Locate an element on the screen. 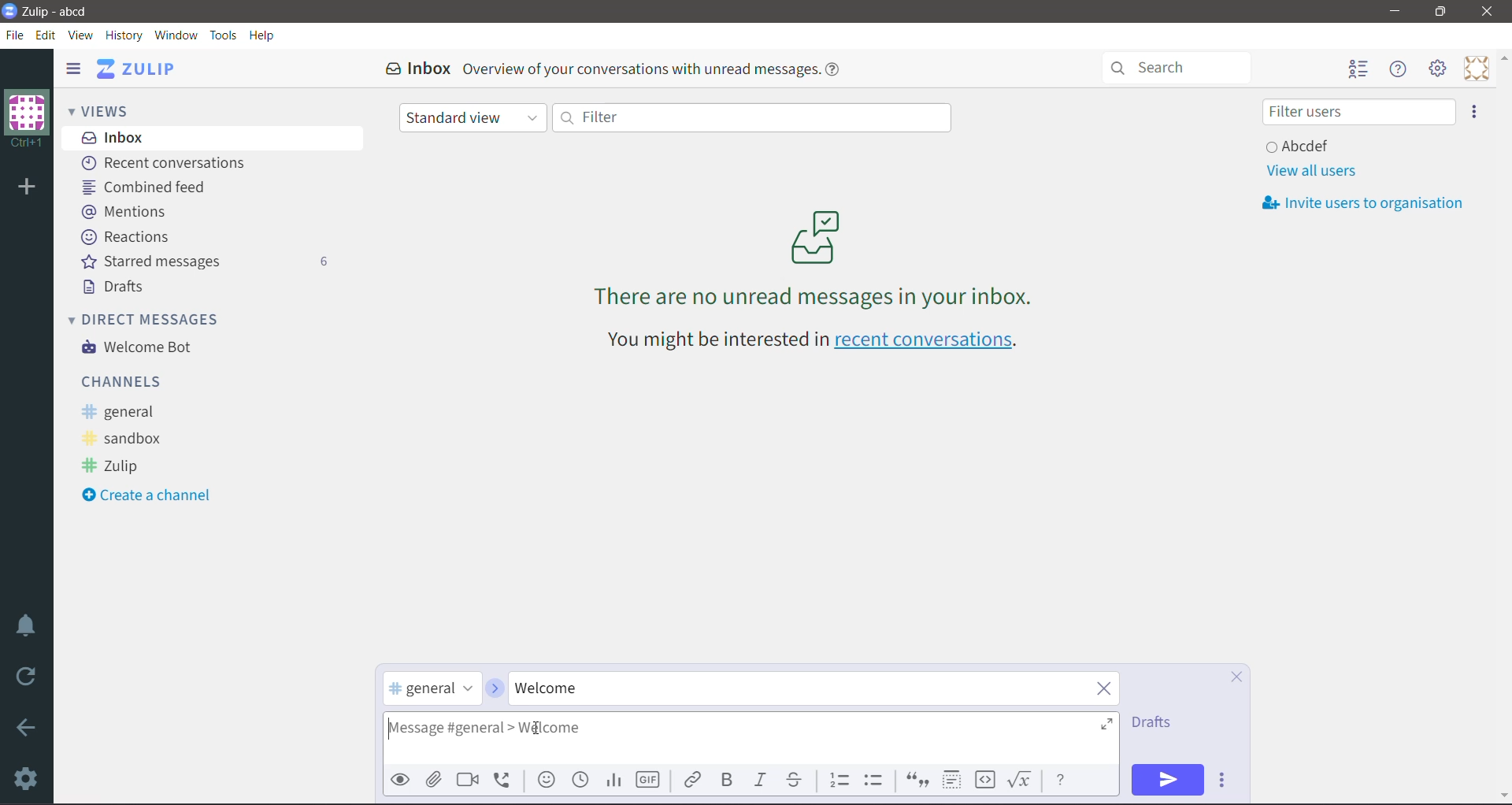 This screenshot has width=1512, height=805. Add Poll is located at coordinates (613, 780).